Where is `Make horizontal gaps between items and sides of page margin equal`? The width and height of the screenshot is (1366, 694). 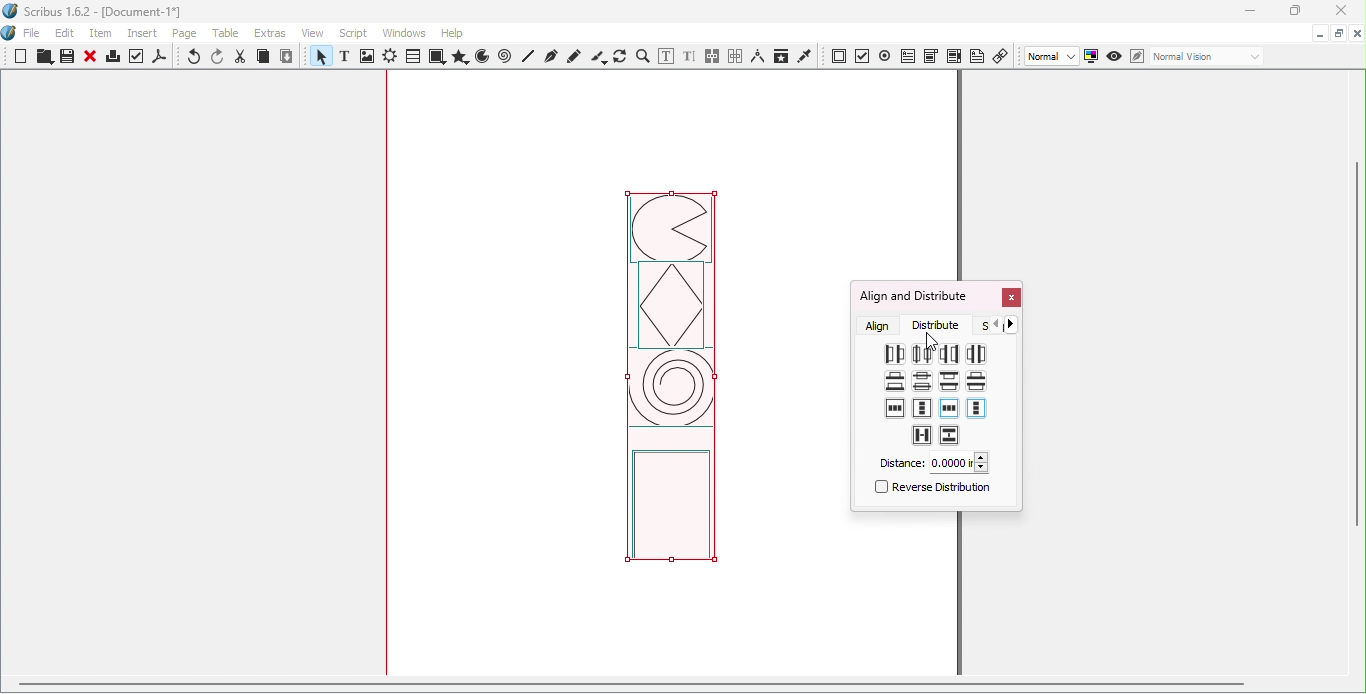 Make horizontal gaps between items and sides of page margin equal is located at coordinates (949, 410).